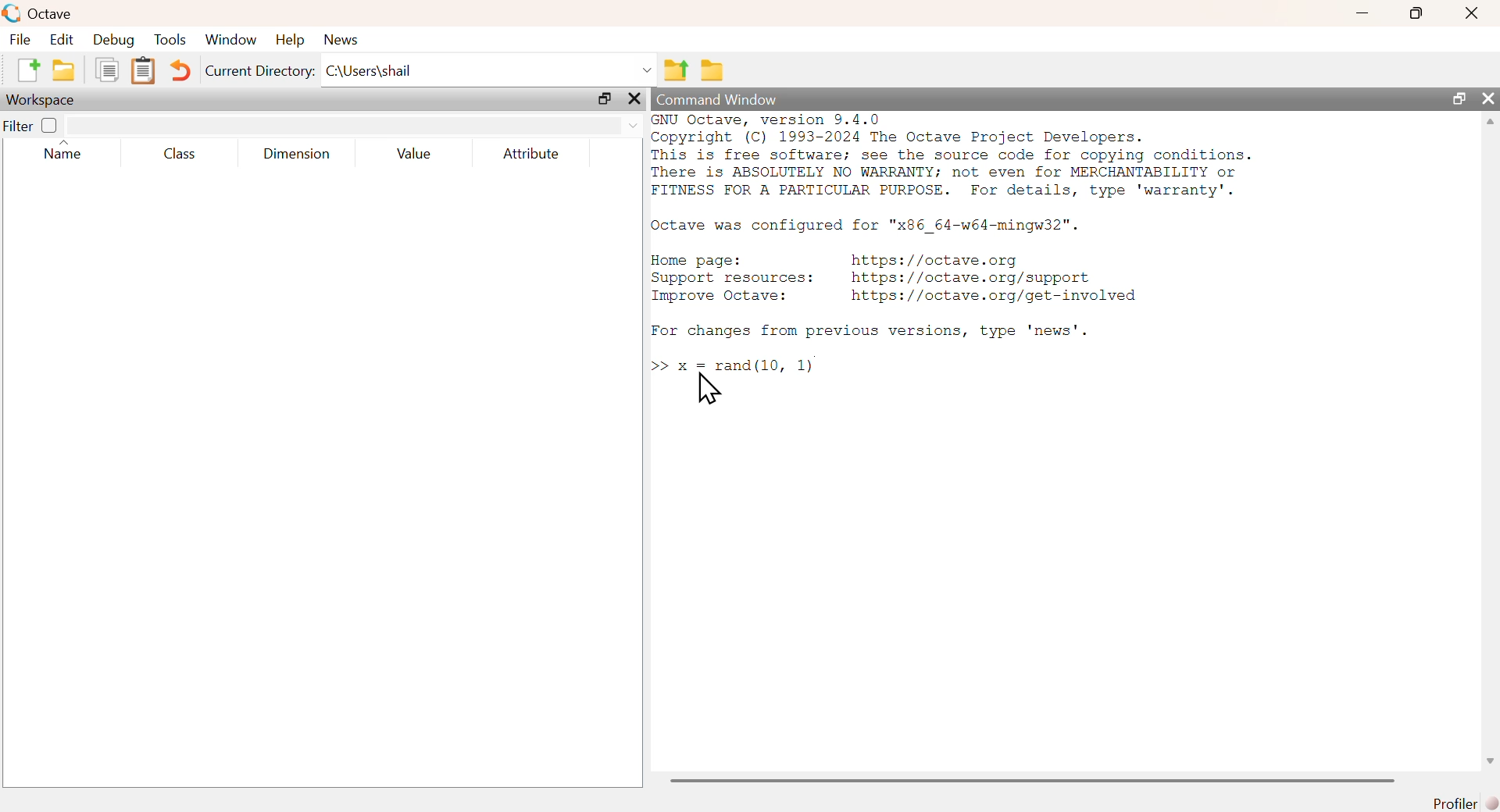 The width and height of the screenshot is (1500, 812). What do you see at coordinates (1470, 15) in the screenshot?
I see `close` at bounding box center [1470, 15].